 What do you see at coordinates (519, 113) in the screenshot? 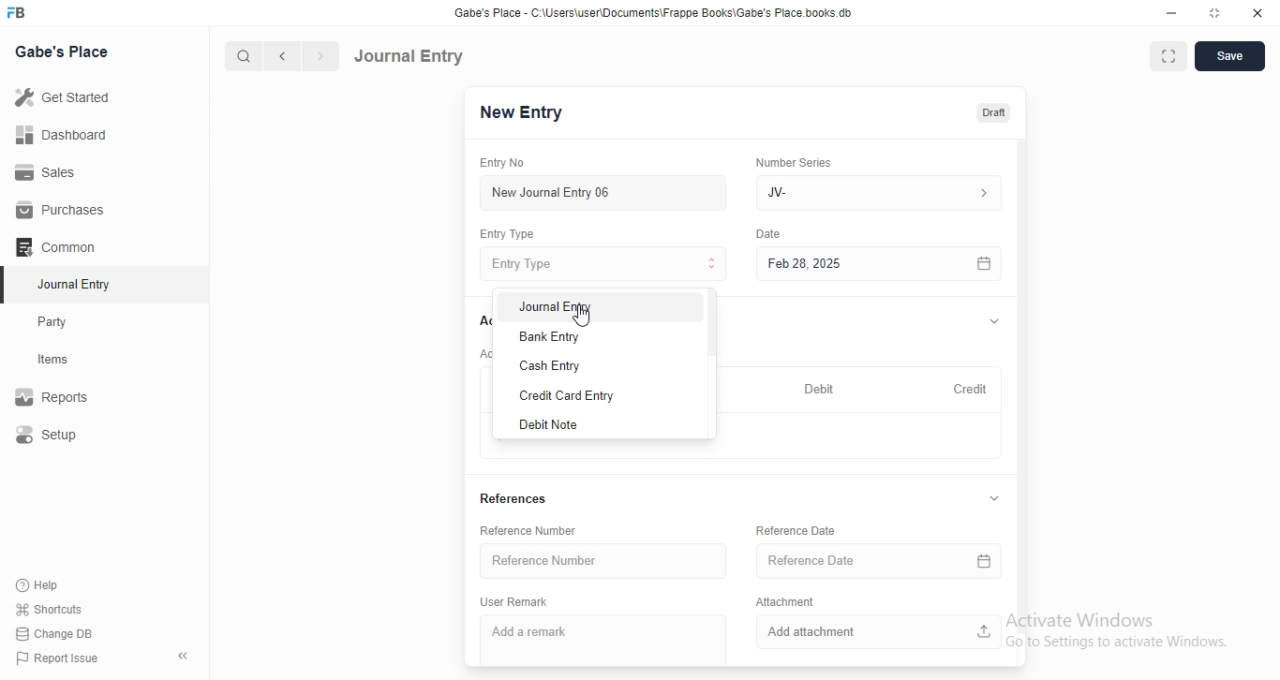
I see `New Entry` at bounding box center [519, 113].